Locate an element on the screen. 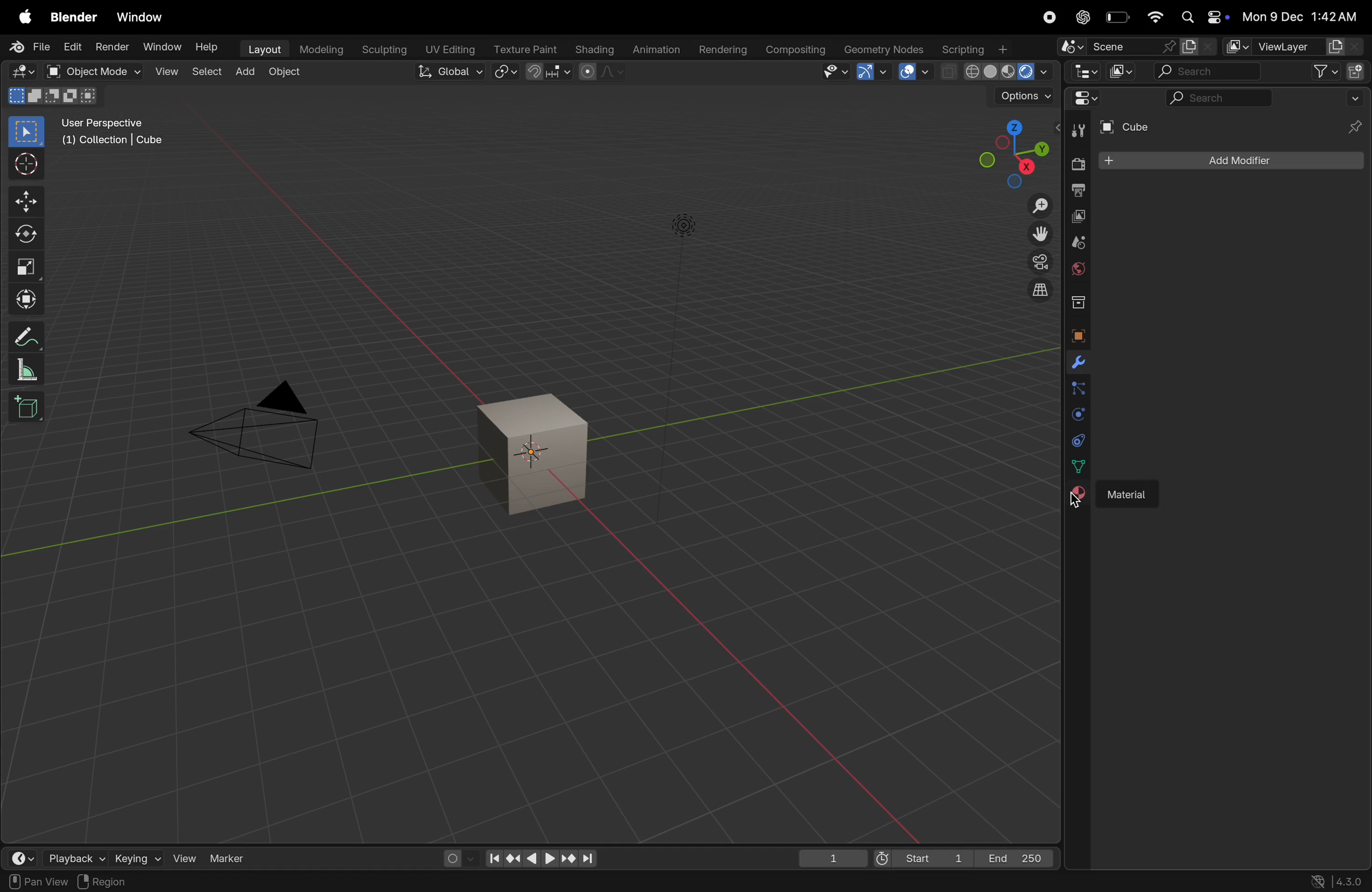 This screenshot has height=892, width=1372. object mode is located at coordinates (91, 71).